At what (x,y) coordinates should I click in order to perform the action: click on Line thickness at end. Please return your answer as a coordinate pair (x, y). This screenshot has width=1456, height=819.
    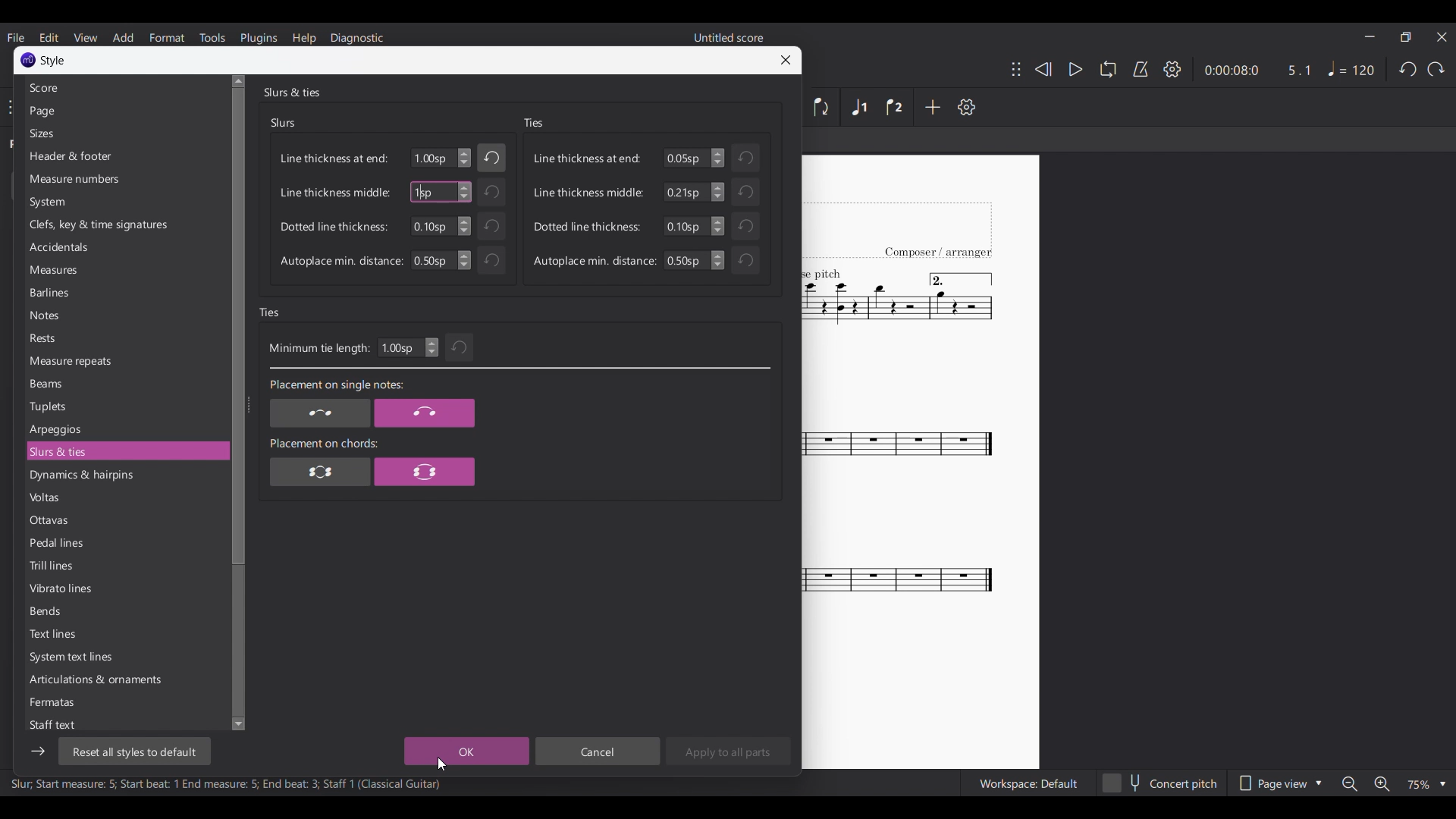
    Looking at the image, I should click on (334, 158).